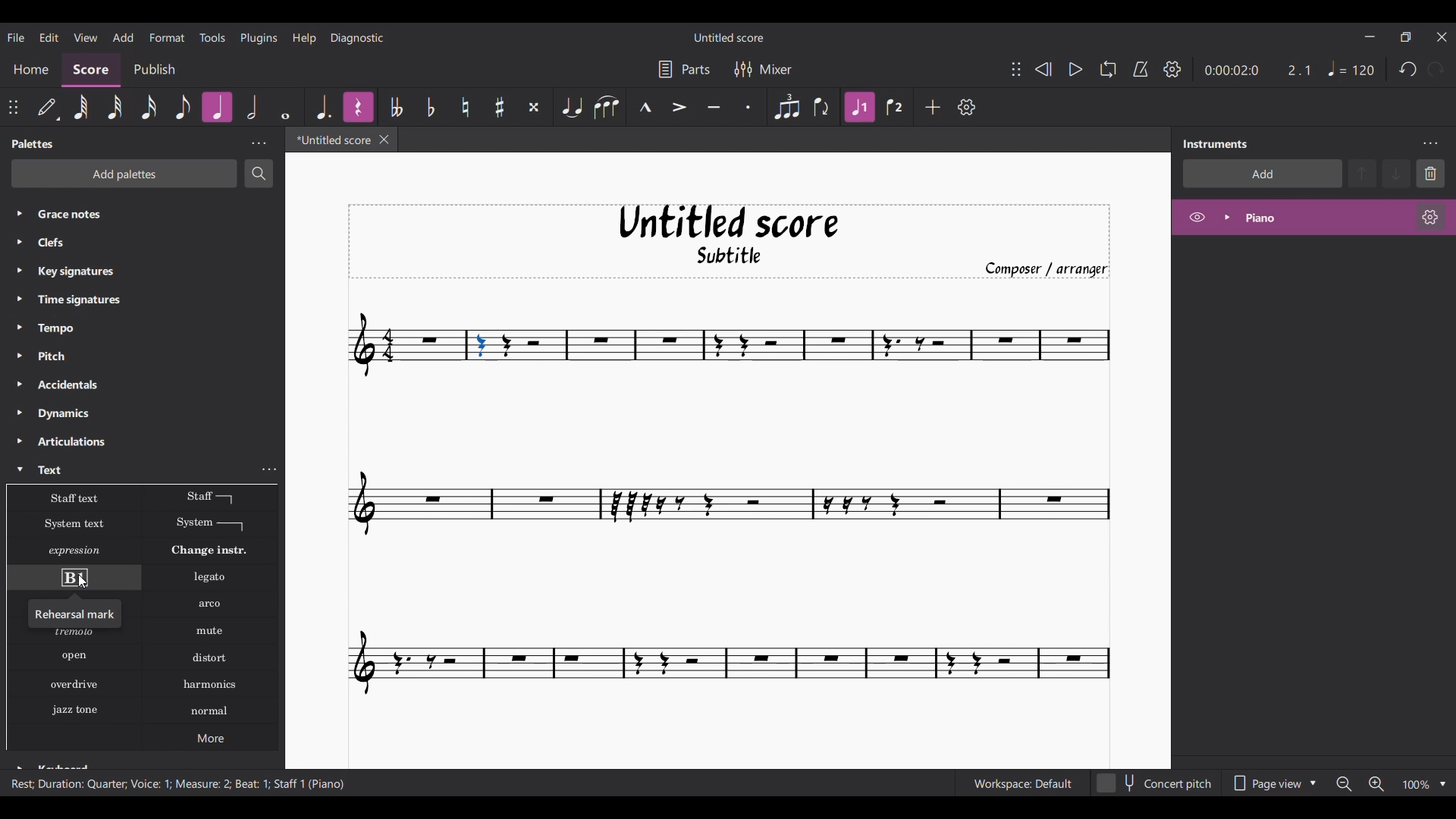 The height and width of the screenshot is (819, 1456). Describe the element at coordinates (16, 37) in the screenshot. I see `File menu` at that location.